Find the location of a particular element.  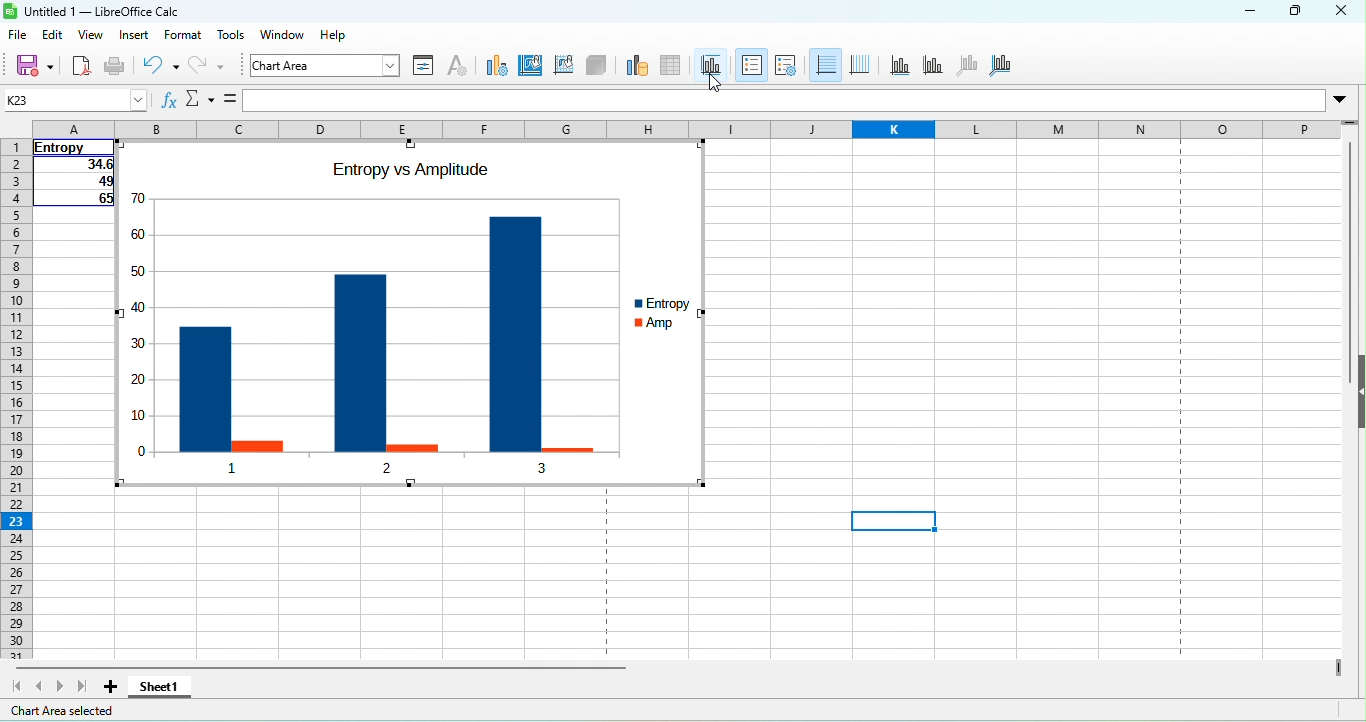

export directly as pdf is located at coordinates (82, 65).